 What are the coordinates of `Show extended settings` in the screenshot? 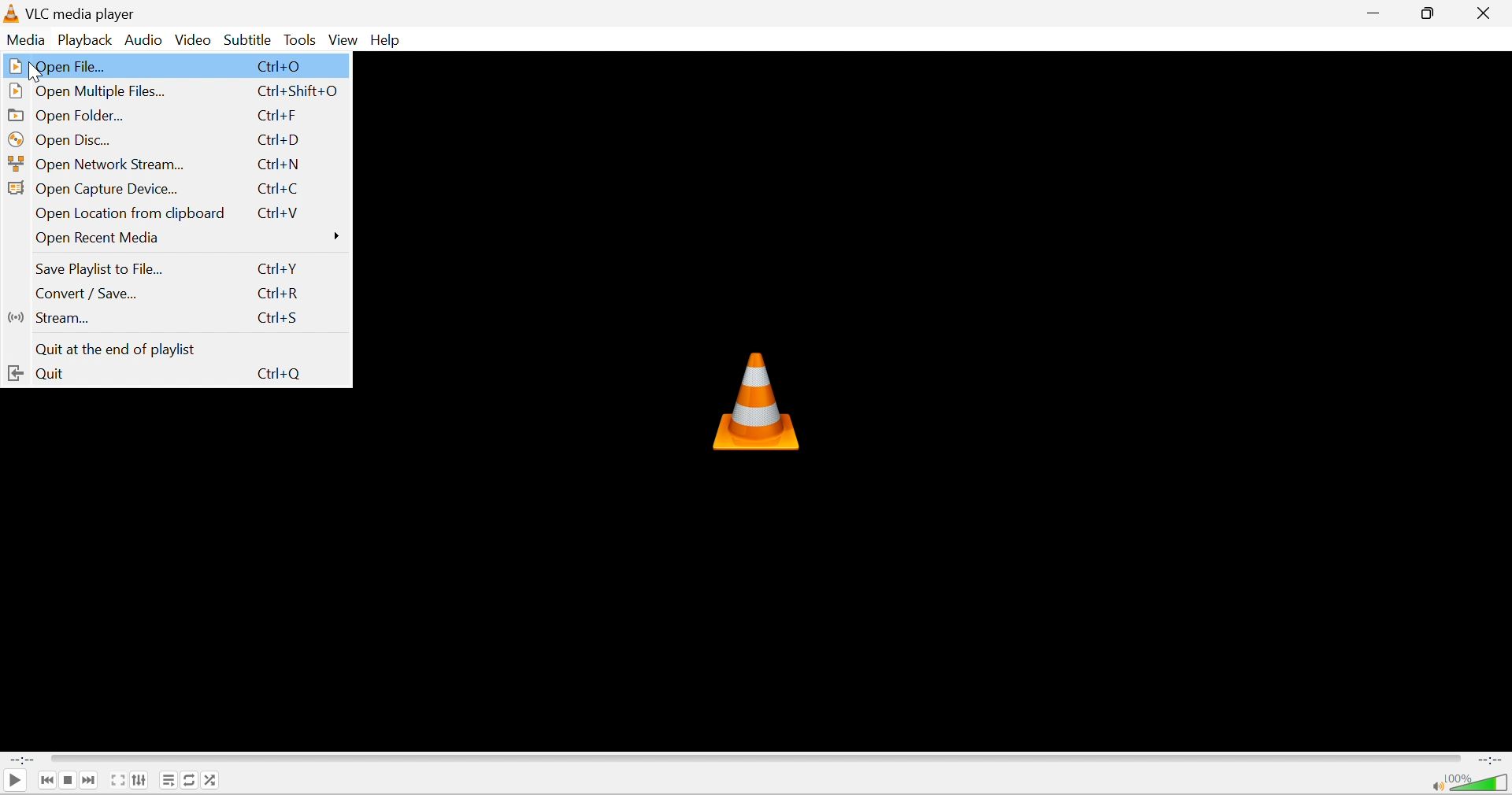 It's located at (141, 780).